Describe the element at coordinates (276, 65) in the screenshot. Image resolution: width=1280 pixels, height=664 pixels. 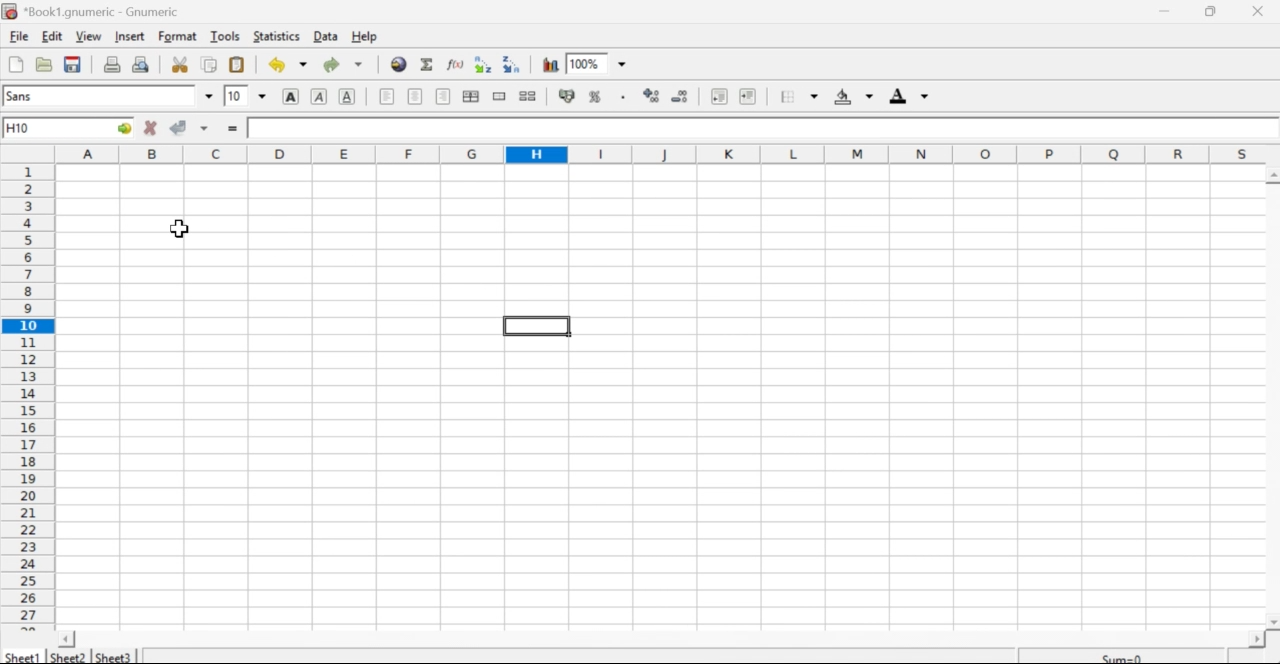
I see `Undo` at that location.